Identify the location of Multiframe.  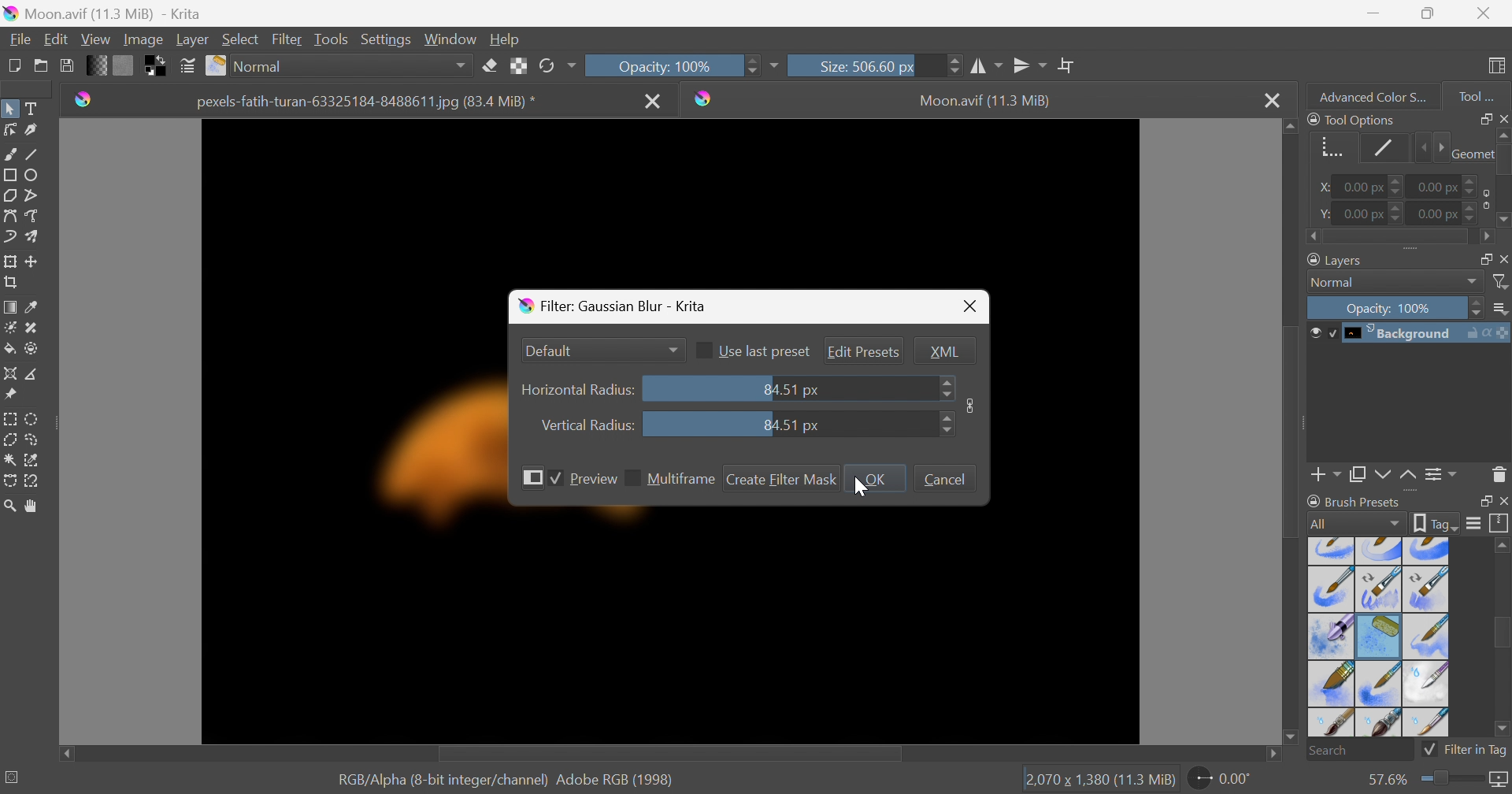
(681, 479).